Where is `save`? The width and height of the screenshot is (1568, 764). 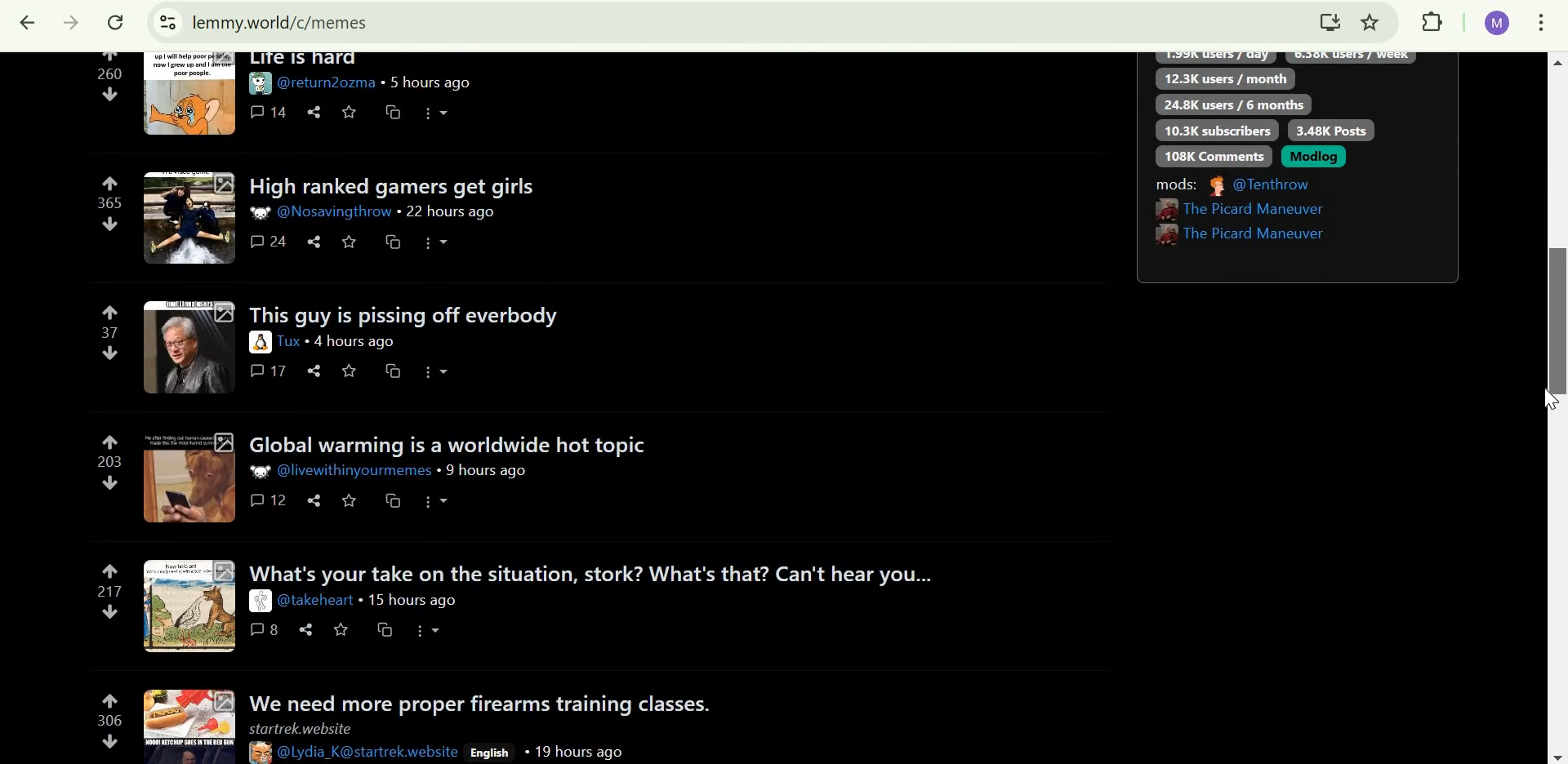 save is located at coordinates (350, 109).